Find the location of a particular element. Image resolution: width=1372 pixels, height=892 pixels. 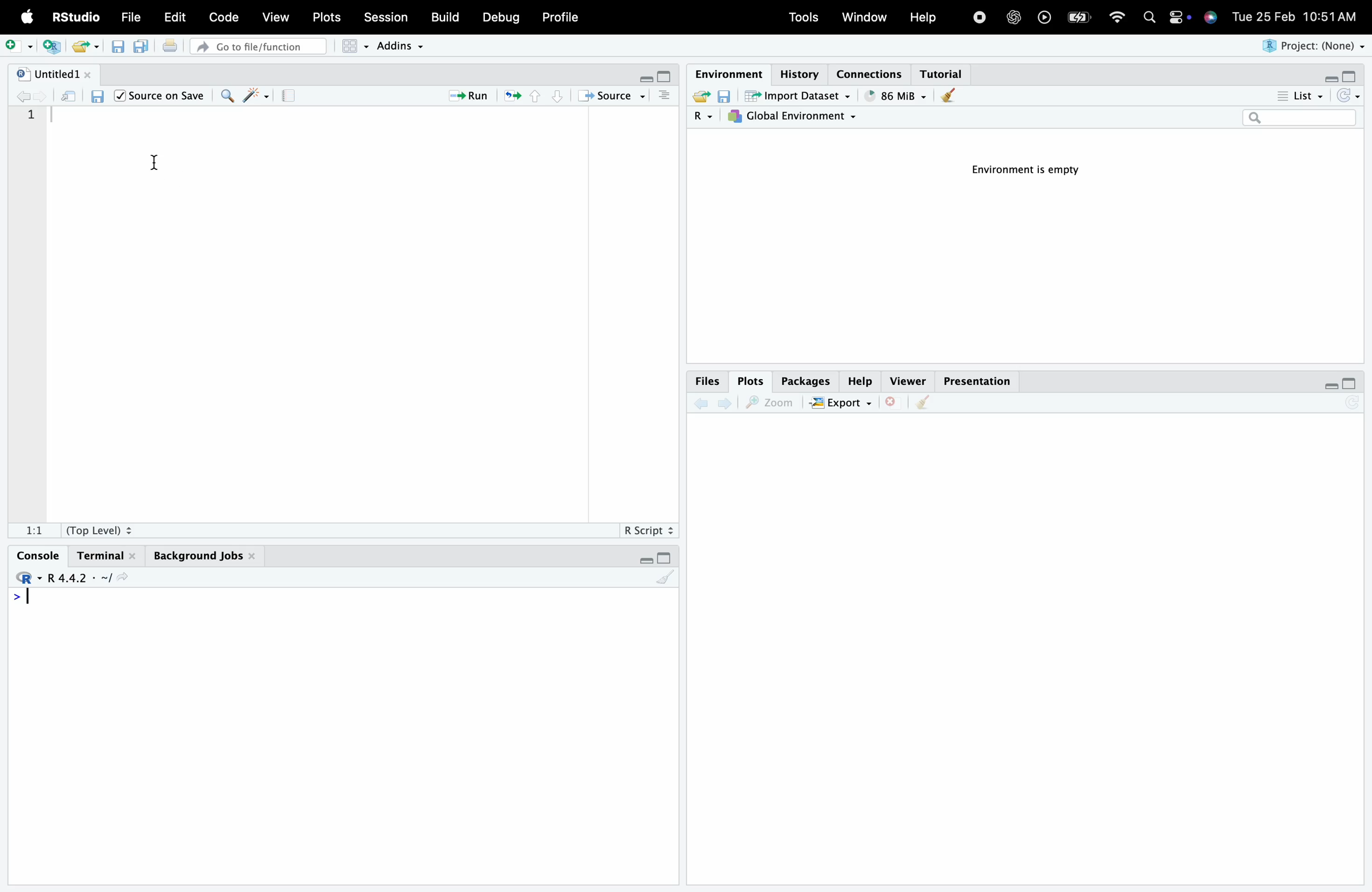

File is located at coordinates (134, 18).